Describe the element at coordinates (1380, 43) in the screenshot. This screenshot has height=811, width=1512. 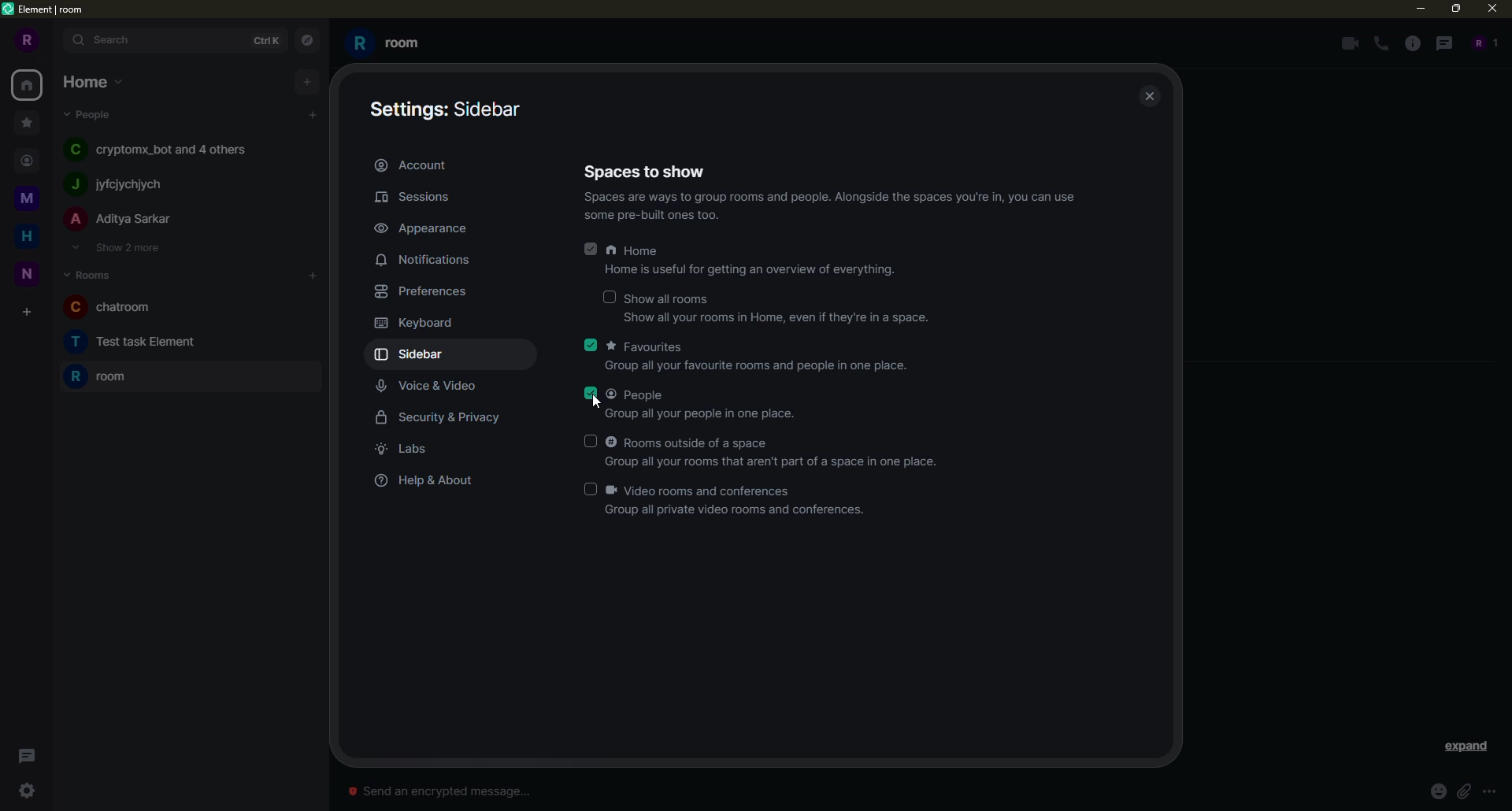
I see `voice call` at that location.